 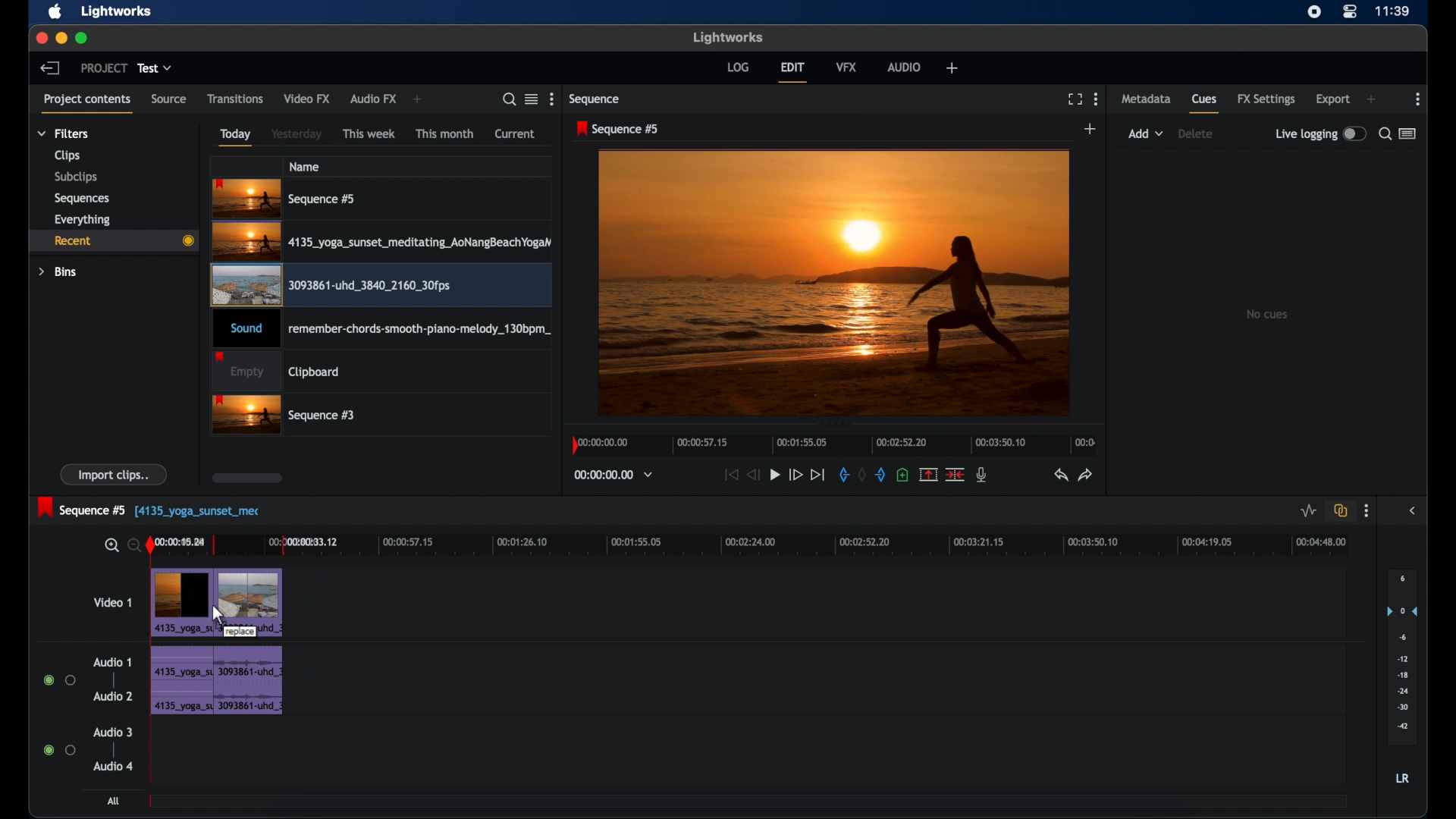 What do you see at coordinates (1145, 99) in the screenshot?
I see `metadata` at bounding box center [1145, 99].